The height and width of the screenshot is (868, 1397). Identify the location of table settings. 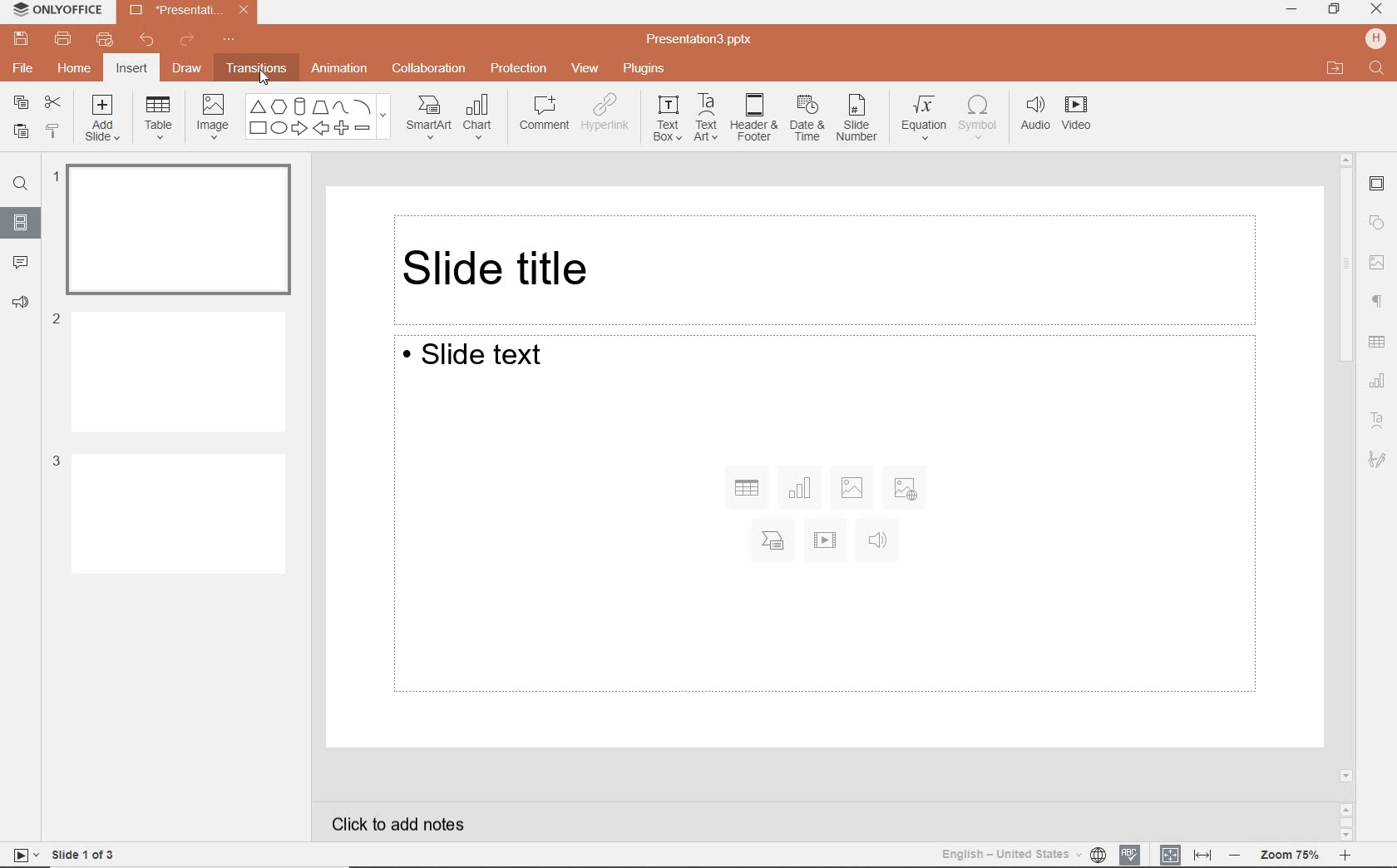
(1377, 342).